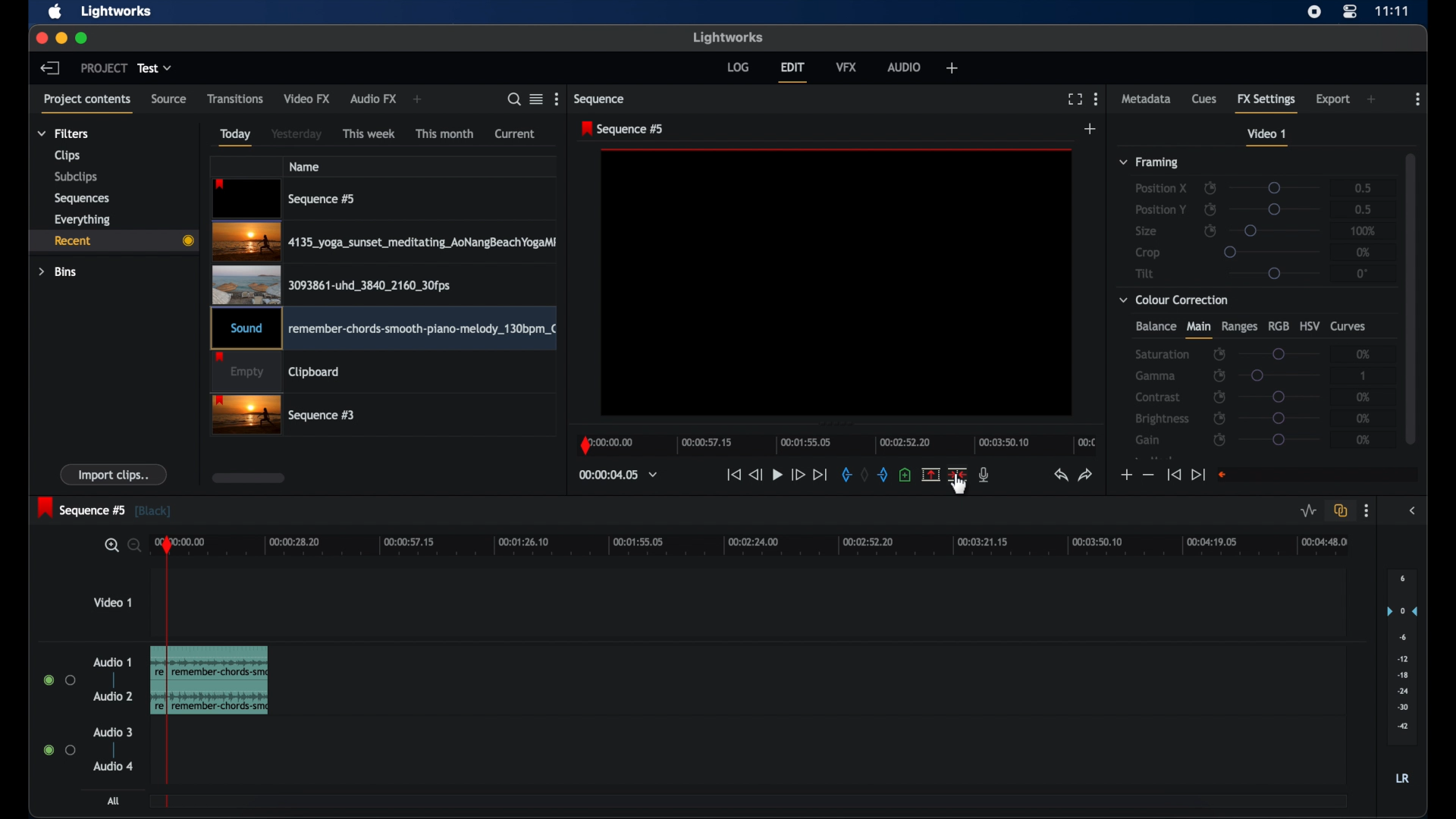 The image size is (1456, 819). I want to click on in mark, so click(843, 475).